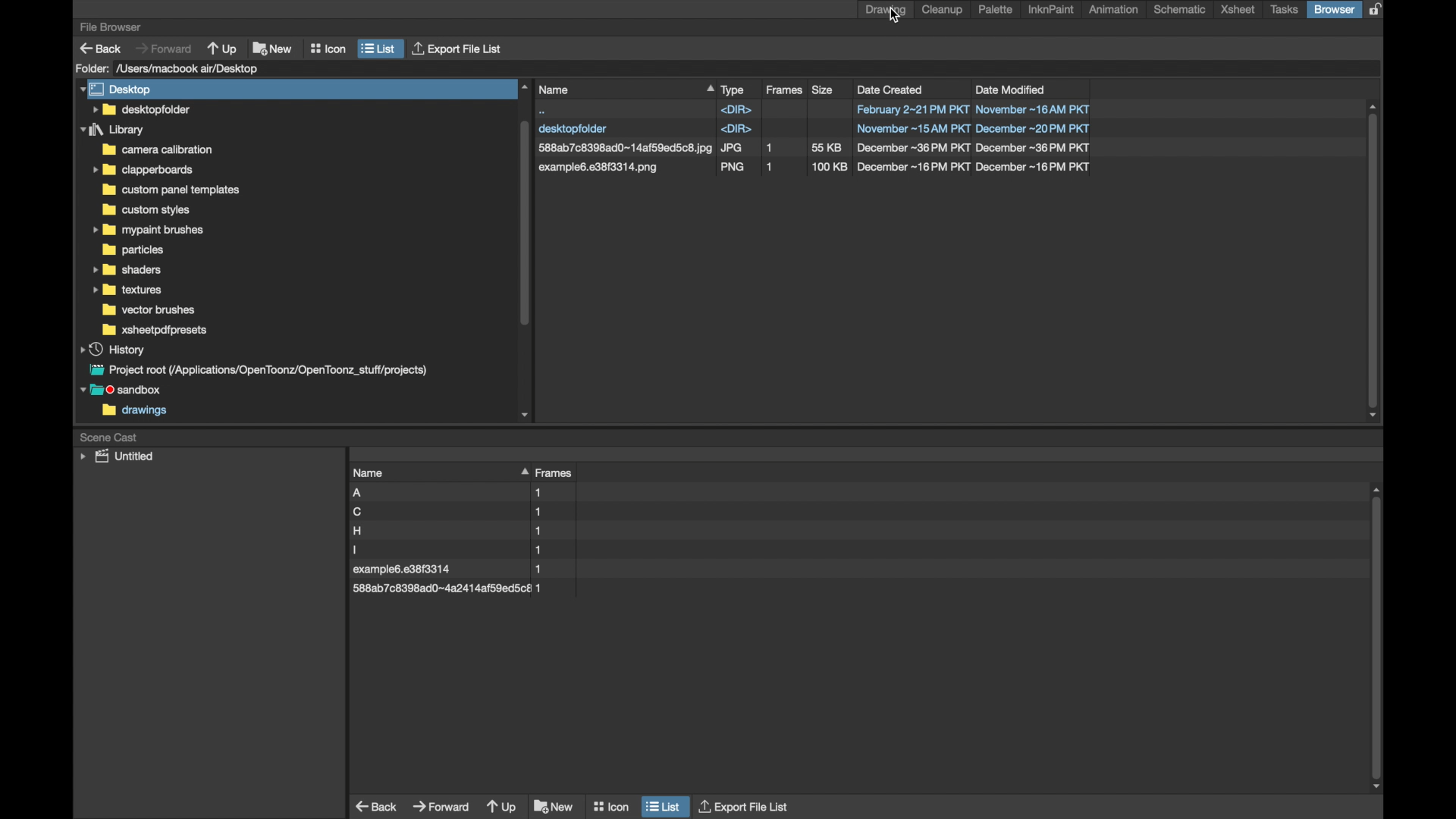 The width and height of the screenshot is (1456, 819). I want to click on file, so click(814, 168).